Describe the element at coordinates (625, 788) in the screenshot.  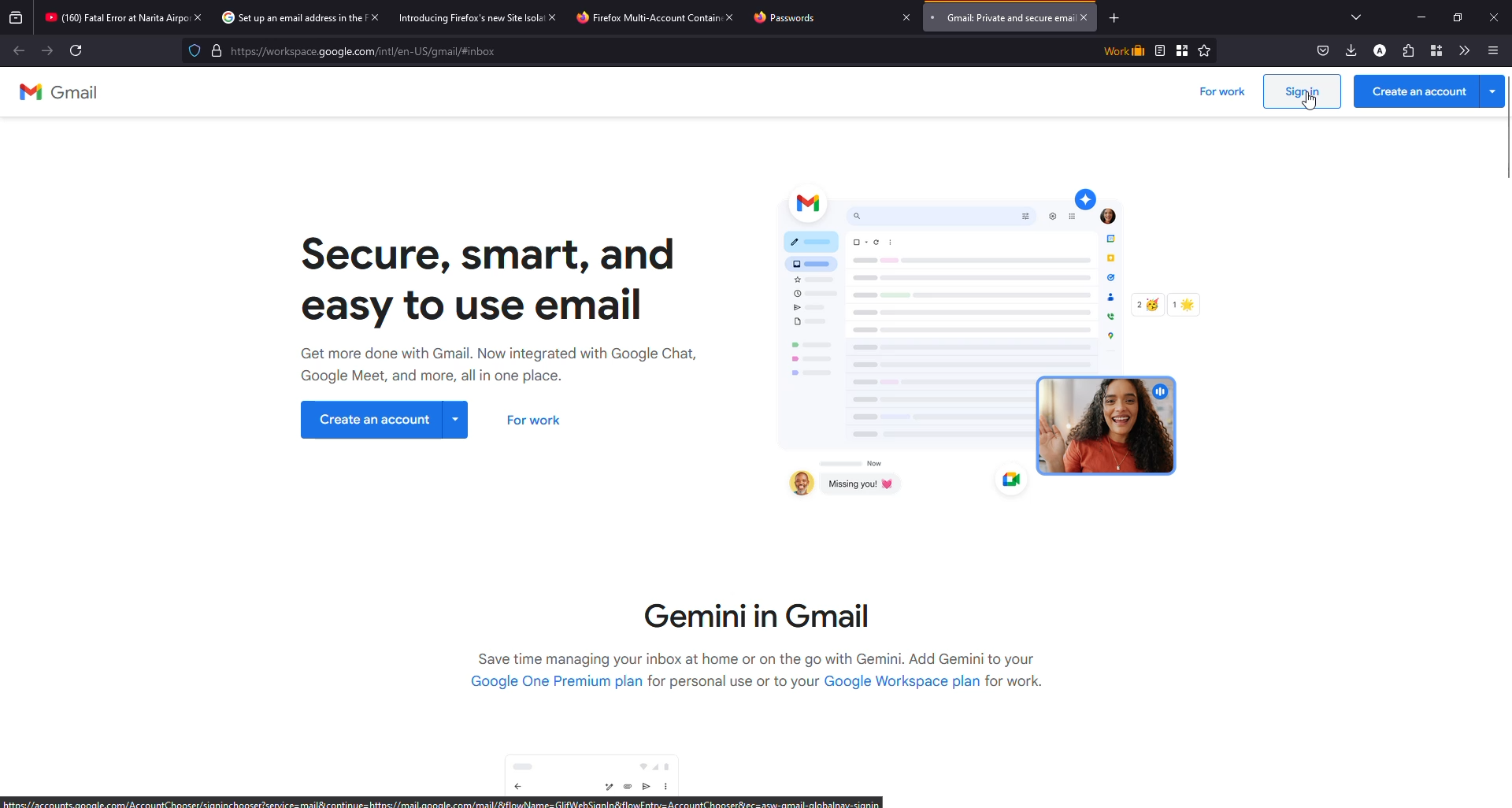
I see `Attach` at that location.